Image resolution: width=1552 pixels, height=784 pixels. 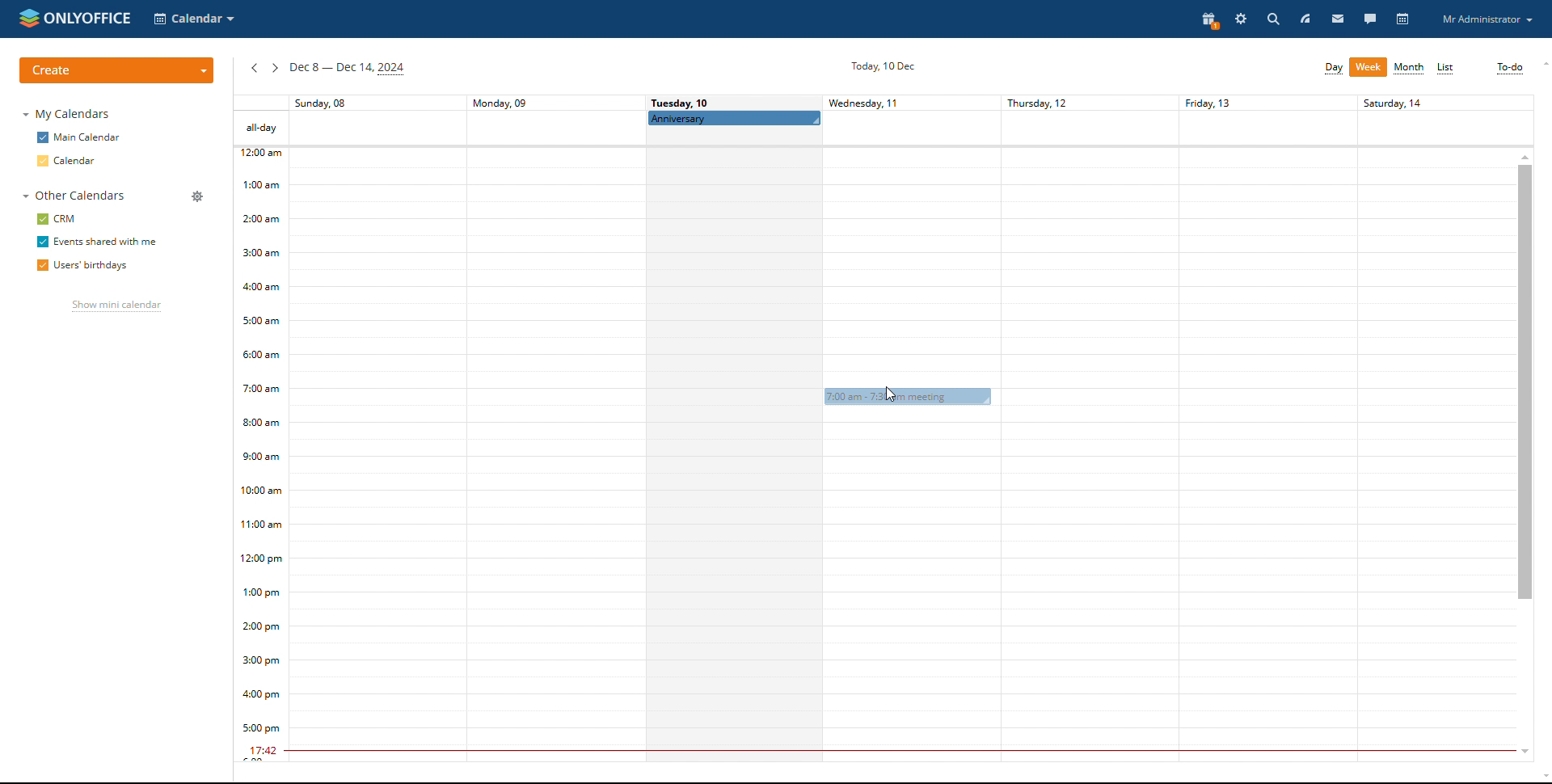 I want to click on Today 10 dec, so click(x=880, y=65).